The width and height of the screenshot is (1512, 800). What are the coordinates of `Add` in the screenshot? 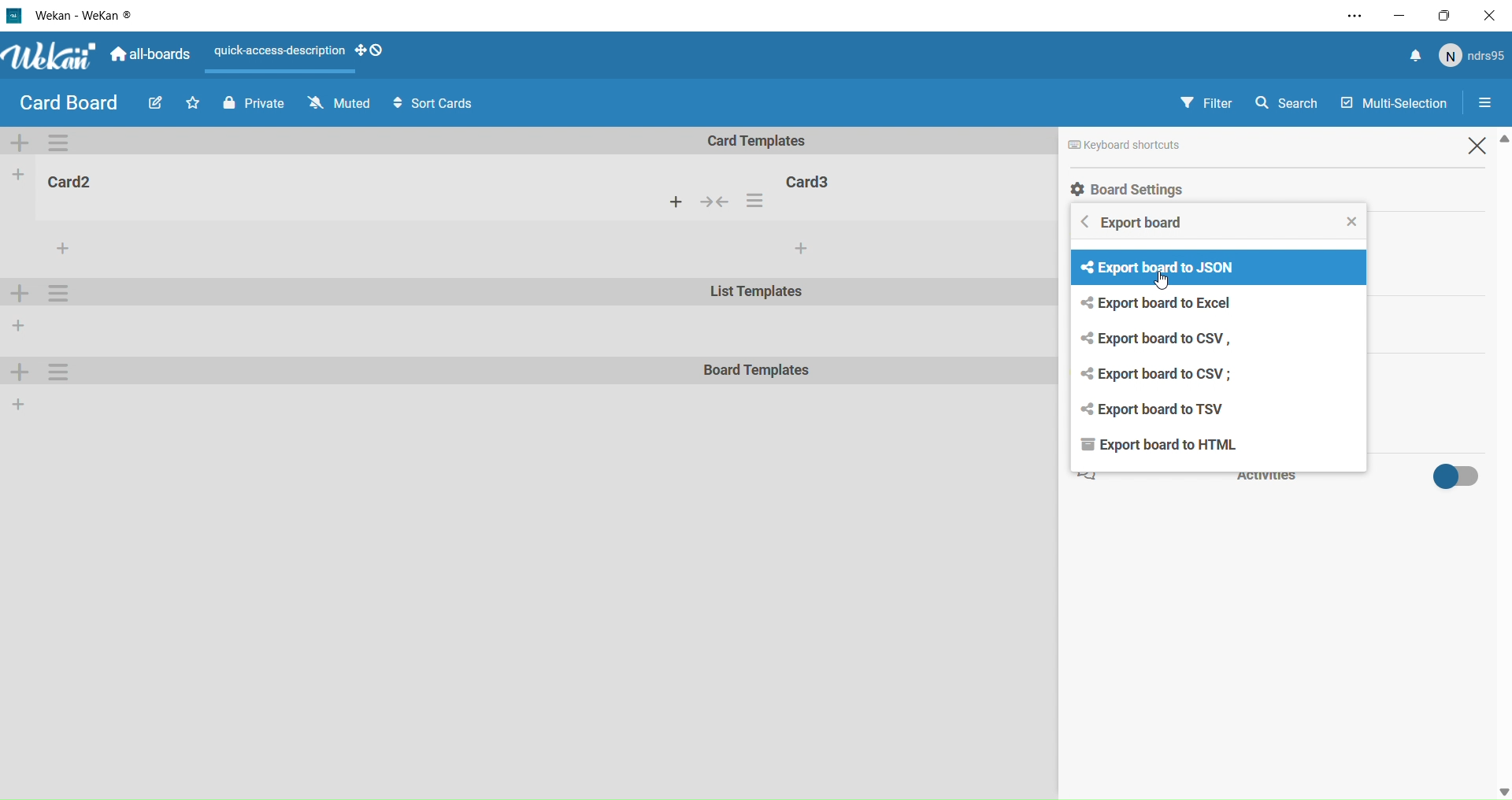 It's located at (20, 403).